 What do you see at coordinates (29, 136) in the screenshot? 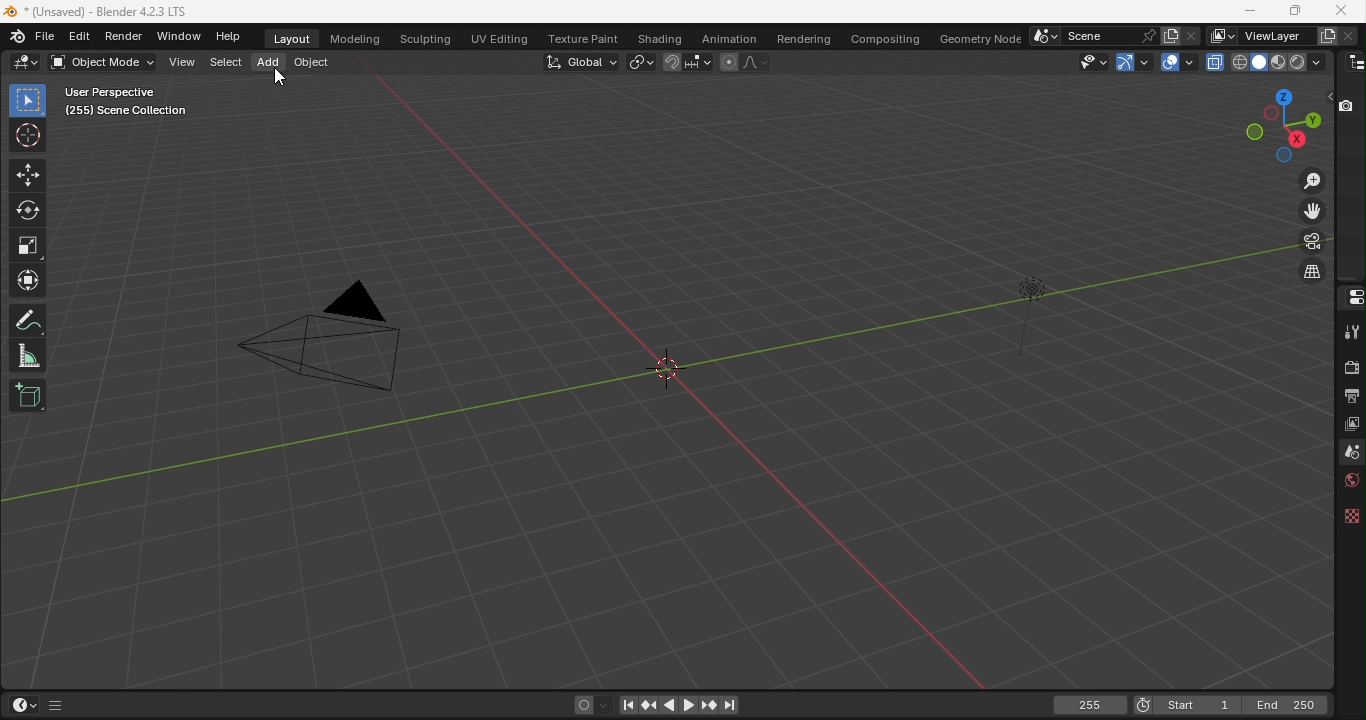
I see `Cursor` at bounding box center [29, 136].